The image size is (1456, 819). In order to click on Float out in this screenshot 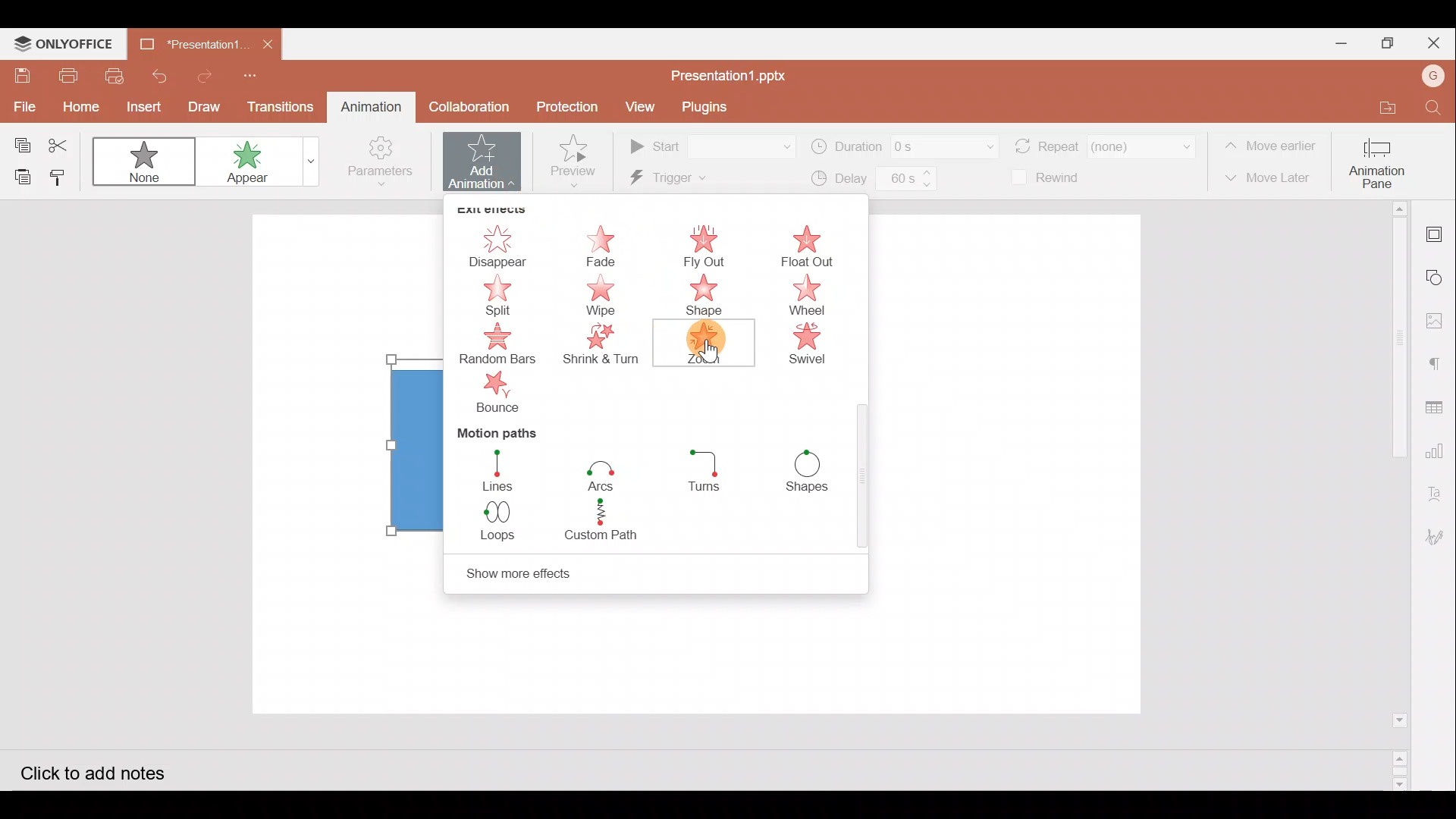, I will do `click(816, 244)`.